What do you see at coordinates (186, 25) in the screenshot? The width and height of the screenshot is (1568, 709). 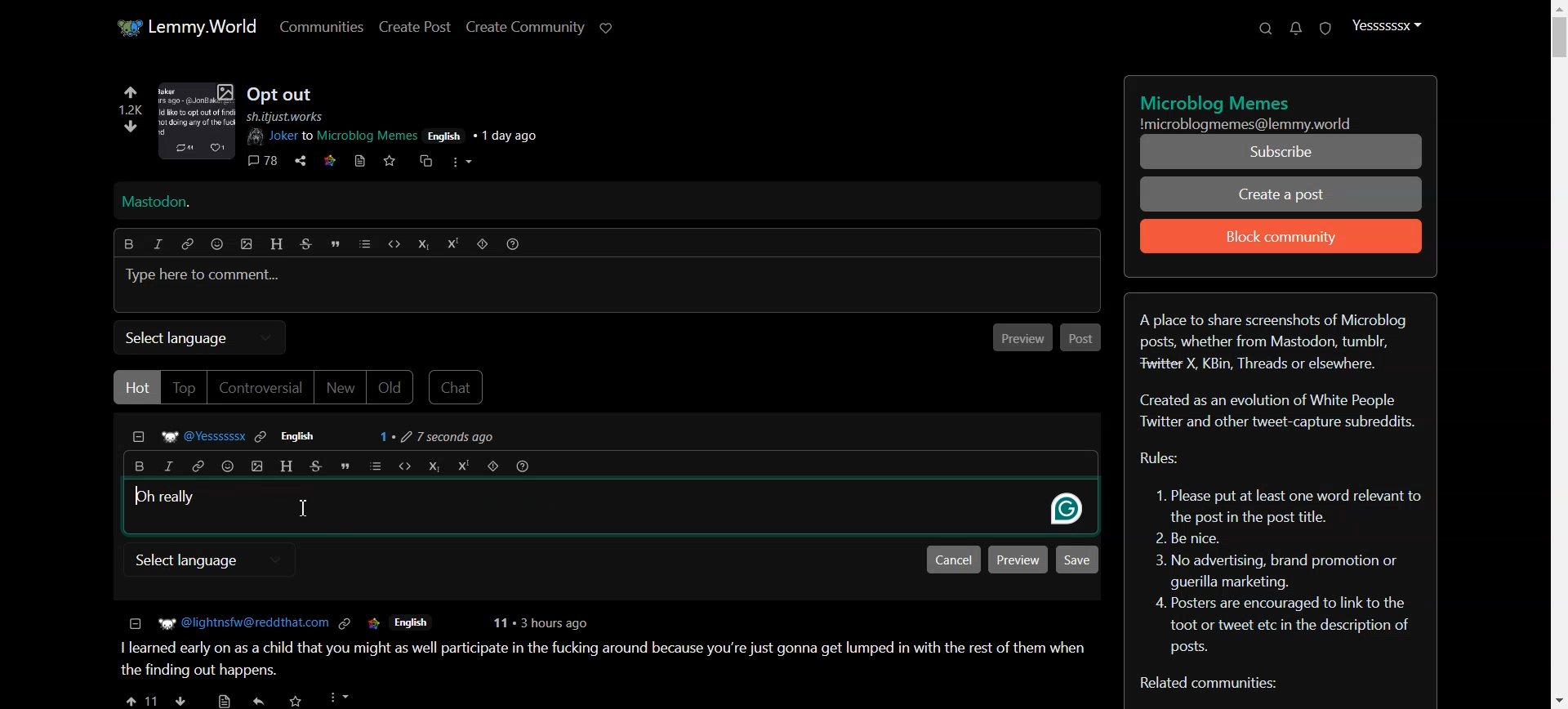 I see `Home page` at bounding box center [186, 25].